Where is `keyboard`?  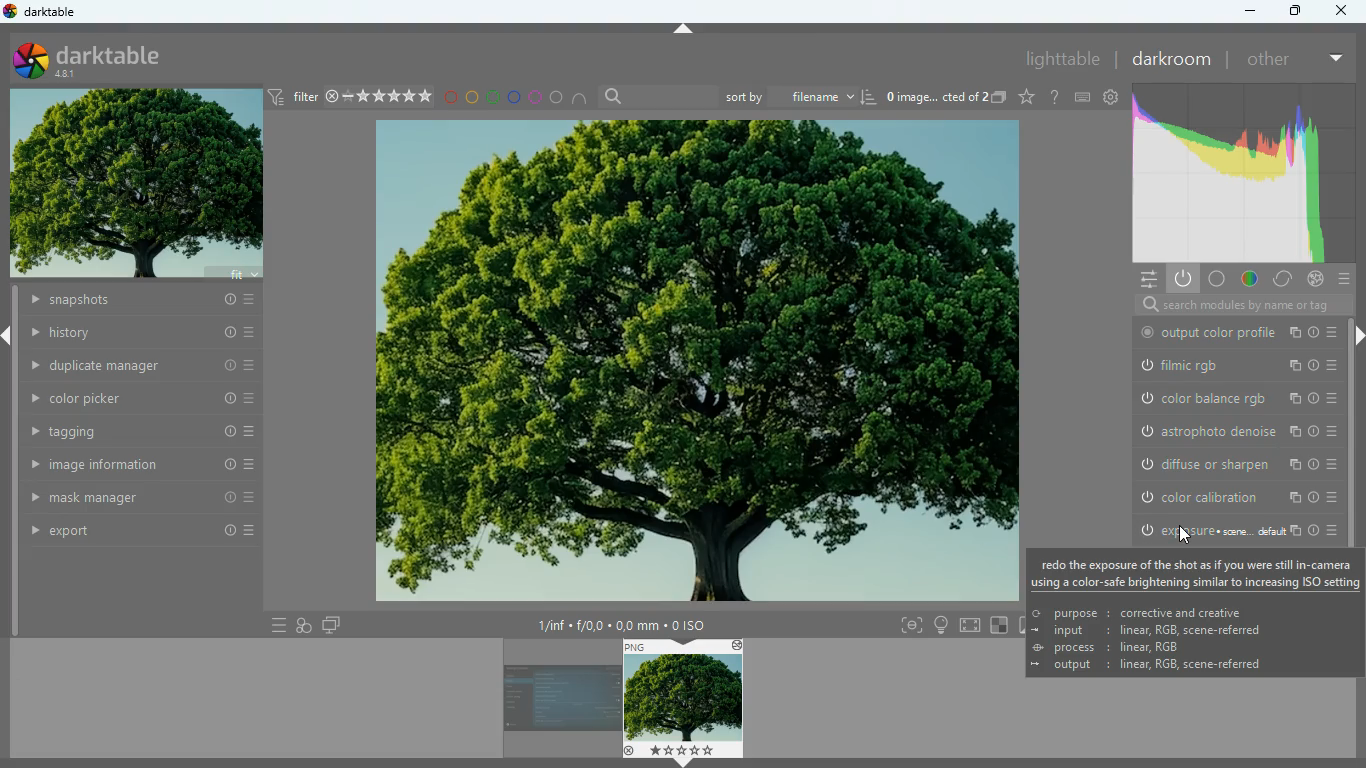 keyboard is located at coordinates (1084, 97).